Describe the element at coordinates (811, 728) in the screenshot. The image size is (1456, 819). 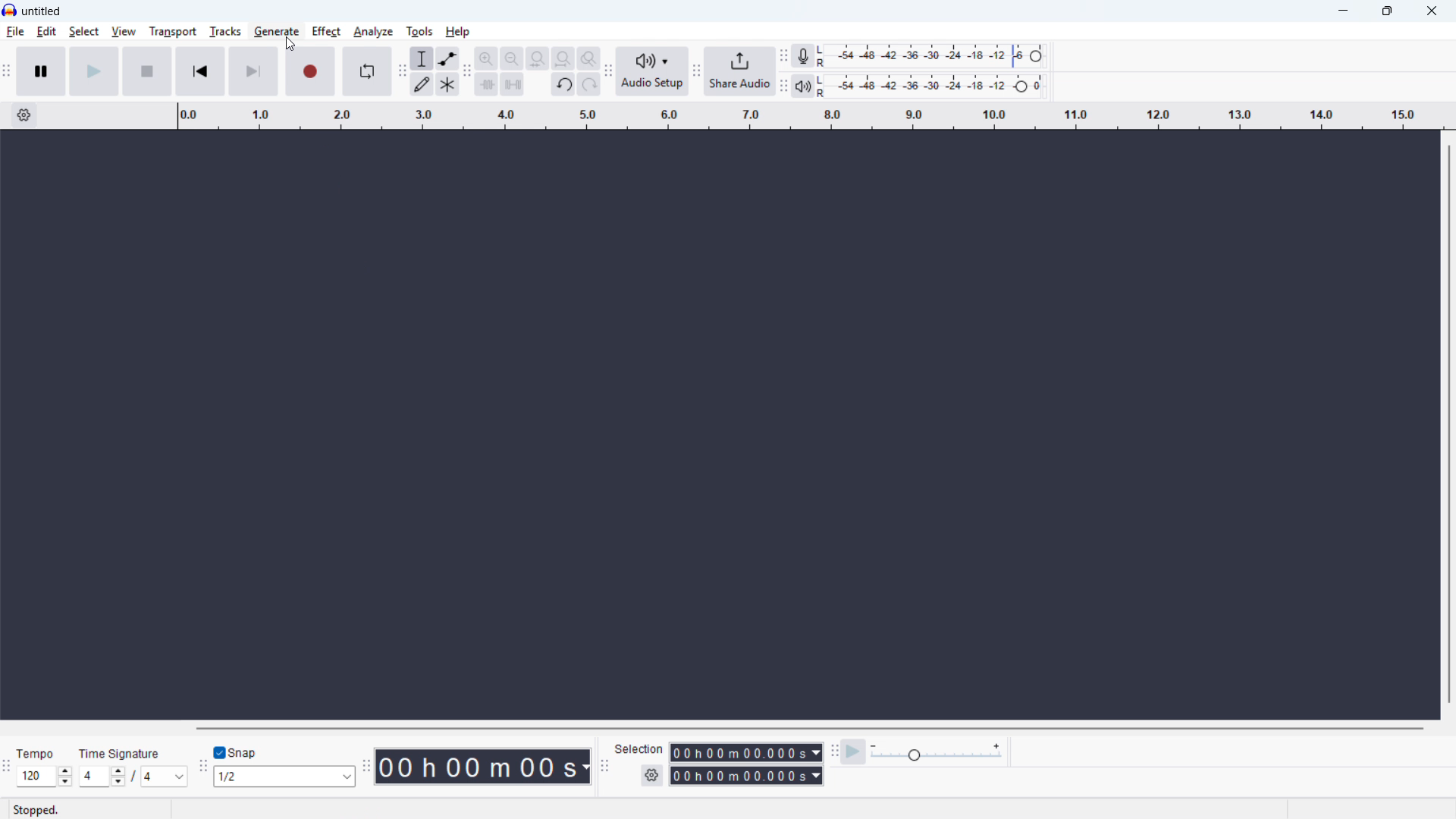
I see `Horizontal scroll bar ` at that location.